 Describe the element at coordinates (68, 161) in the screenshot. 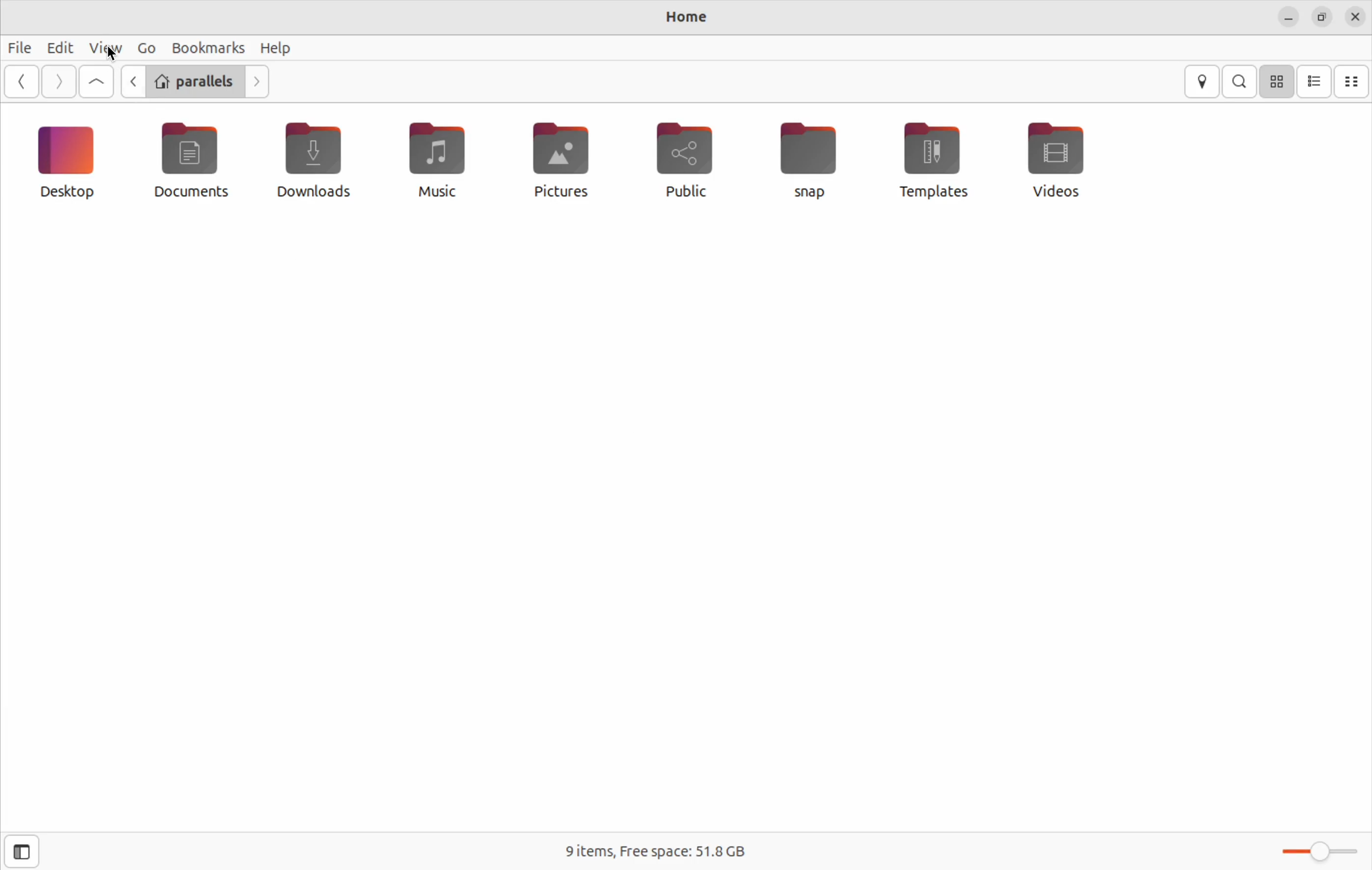

I see `desktop icon ` at that location.